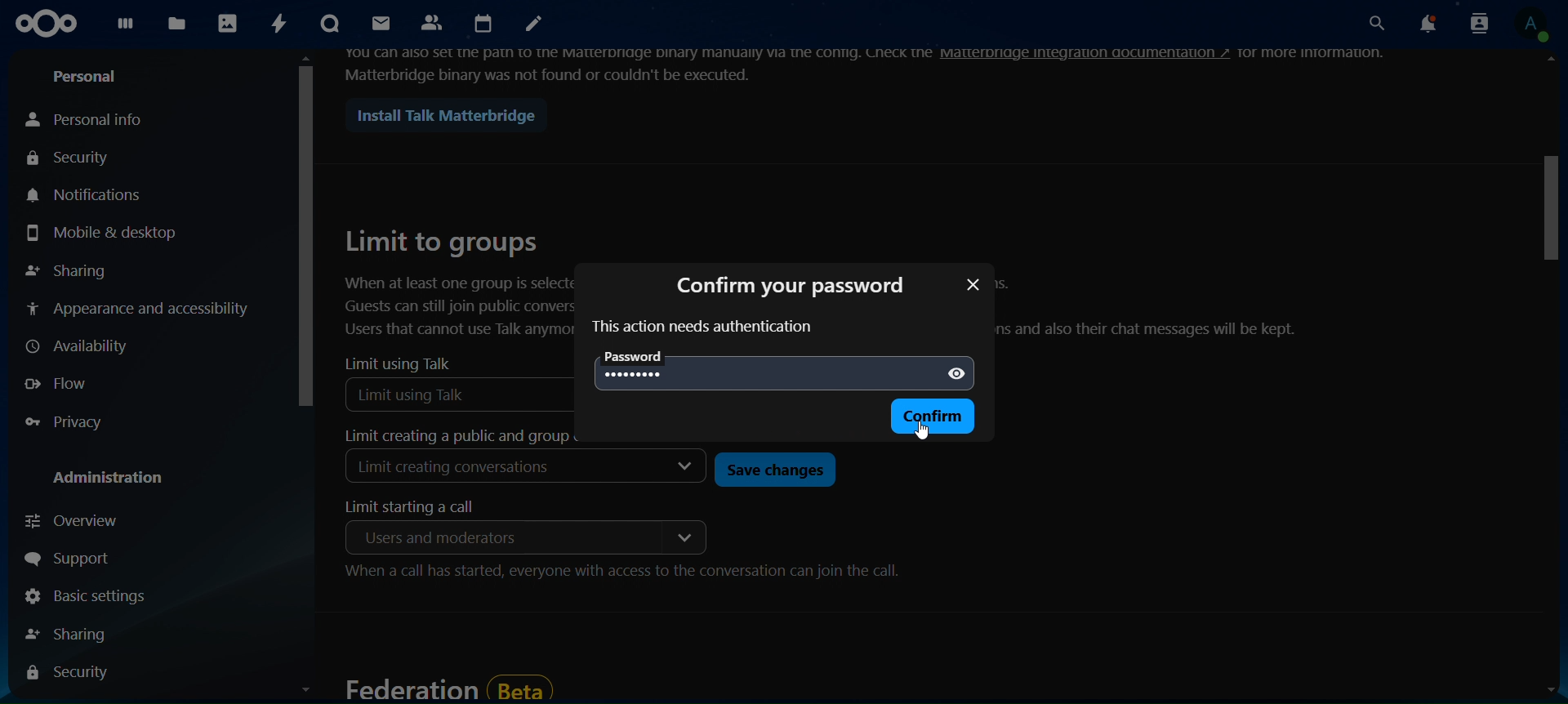 The image size is (1568, 704). Describe the element at coordinates (702, 327) in the screenshot. I see `text` at that location.